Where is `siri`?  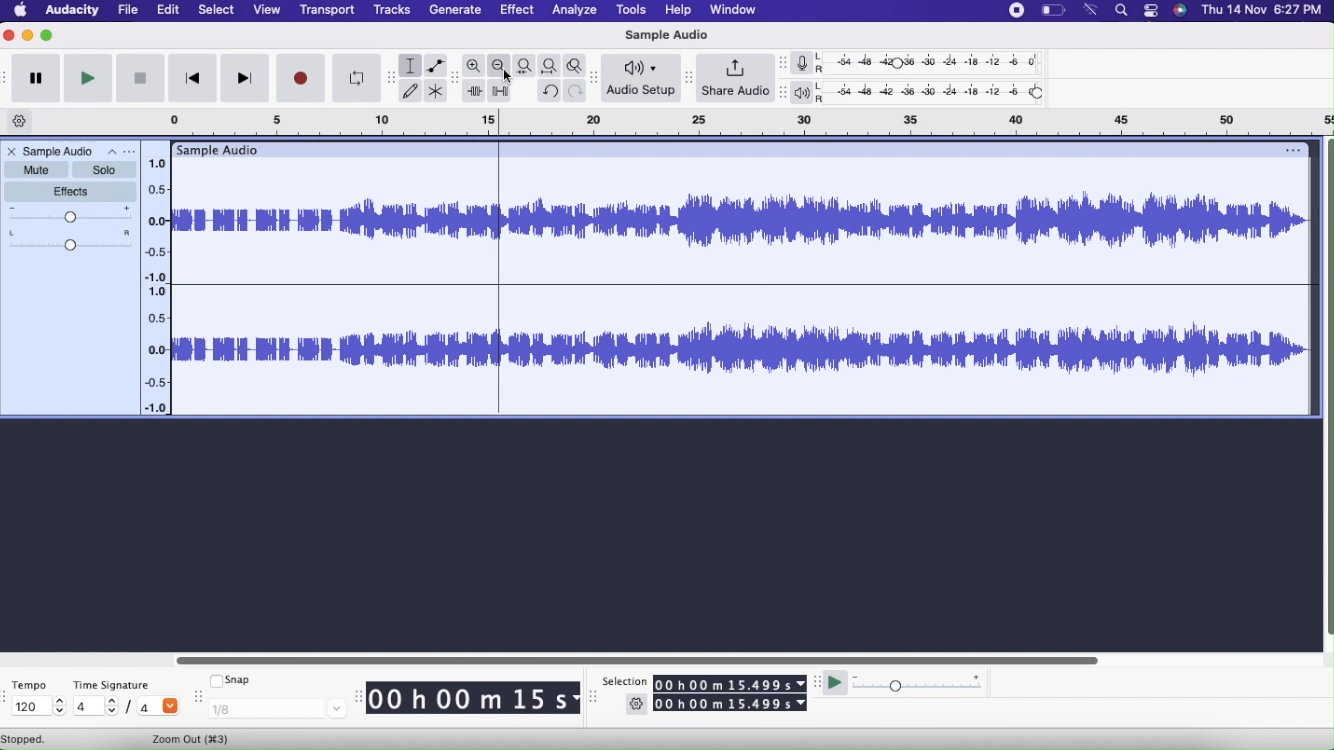
siri is located at coordinates (1183, 13).